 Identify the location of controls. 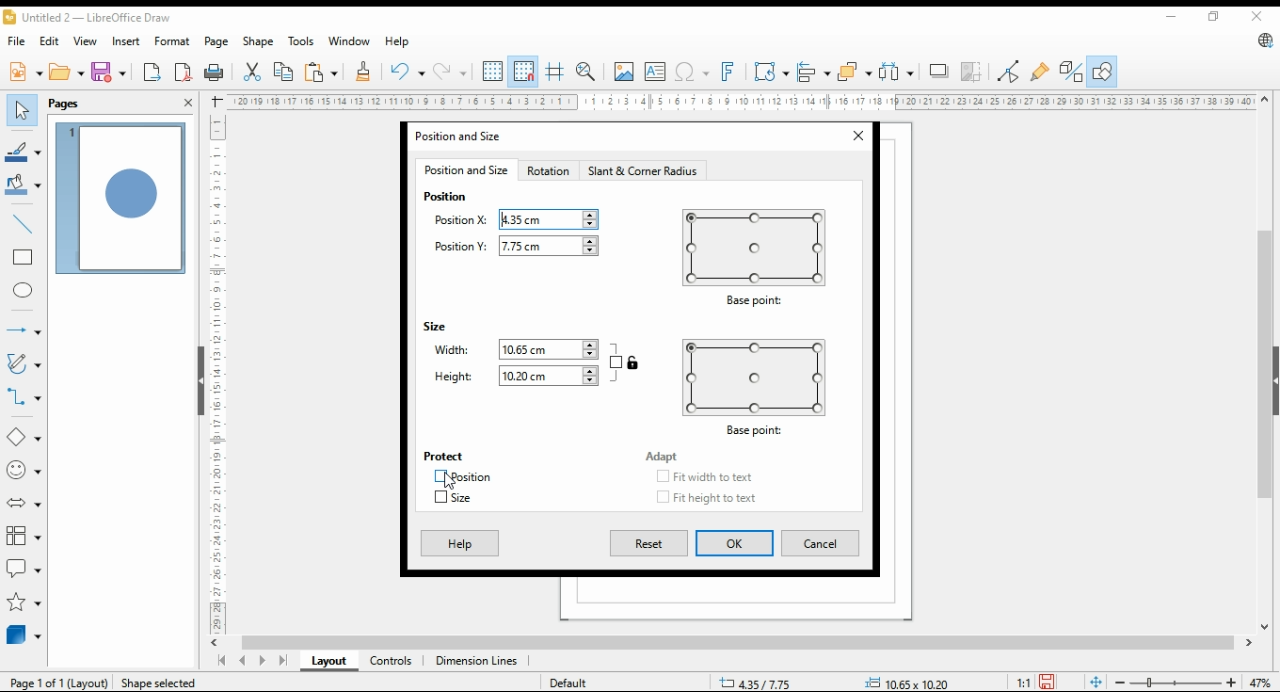
(390, 659).